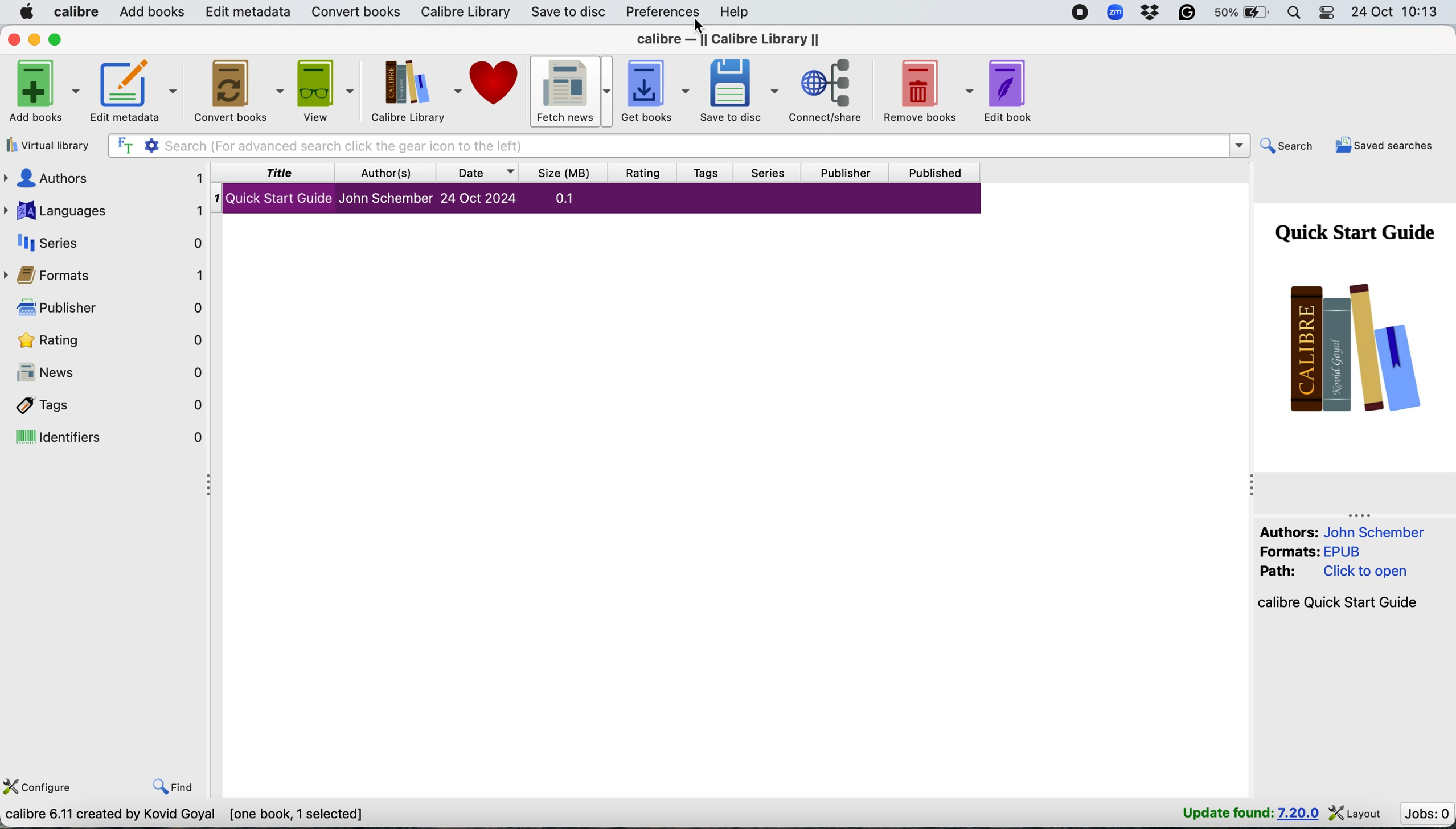 Image resolution: width=1456 pixels, height=829 pixels. What do you see at coordinates (729, 42) in the screenshot?
I see `calibre library` at bounding box center [729, 42].